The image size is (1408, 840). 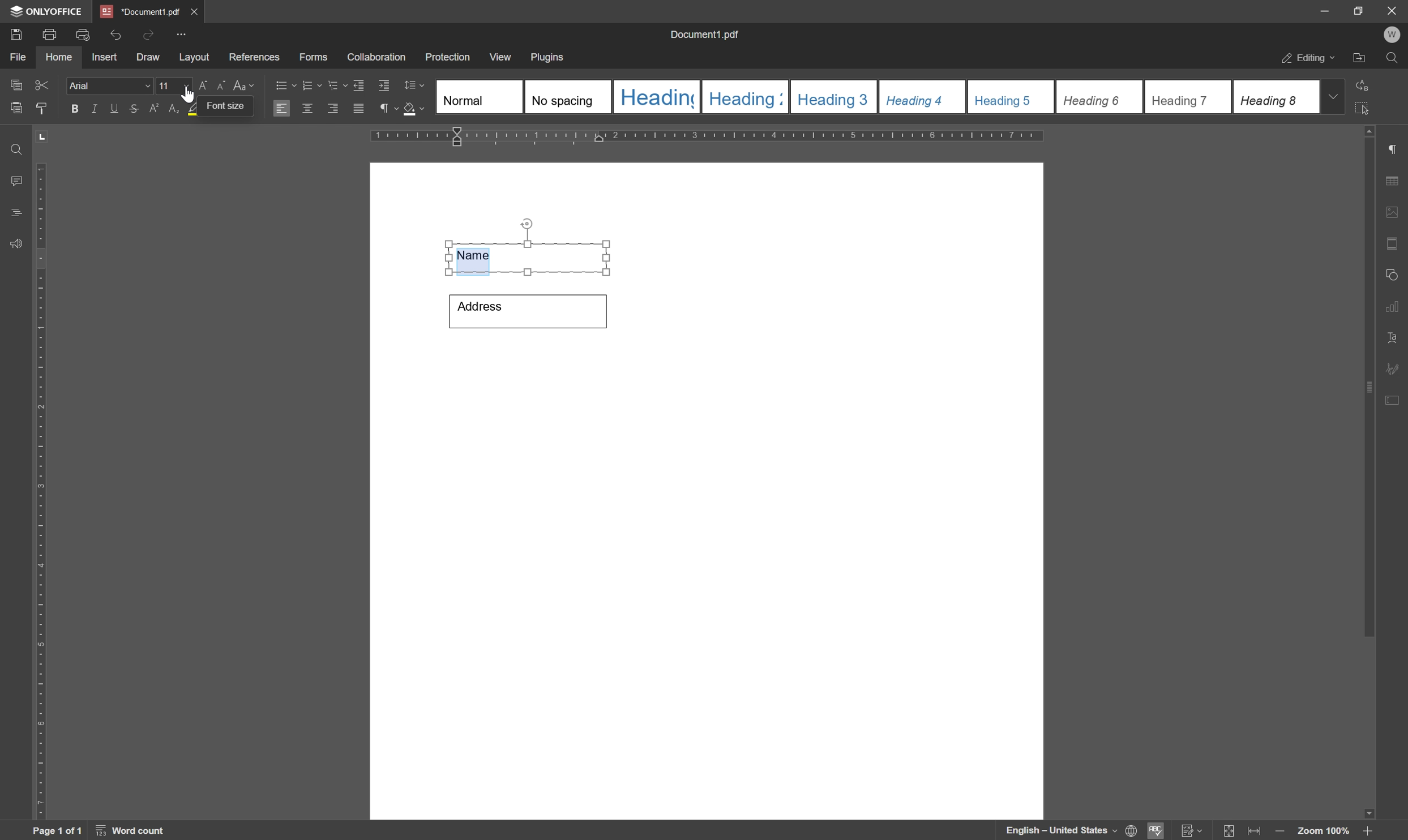 I want to click on plugins, so click(x=549, y=58).